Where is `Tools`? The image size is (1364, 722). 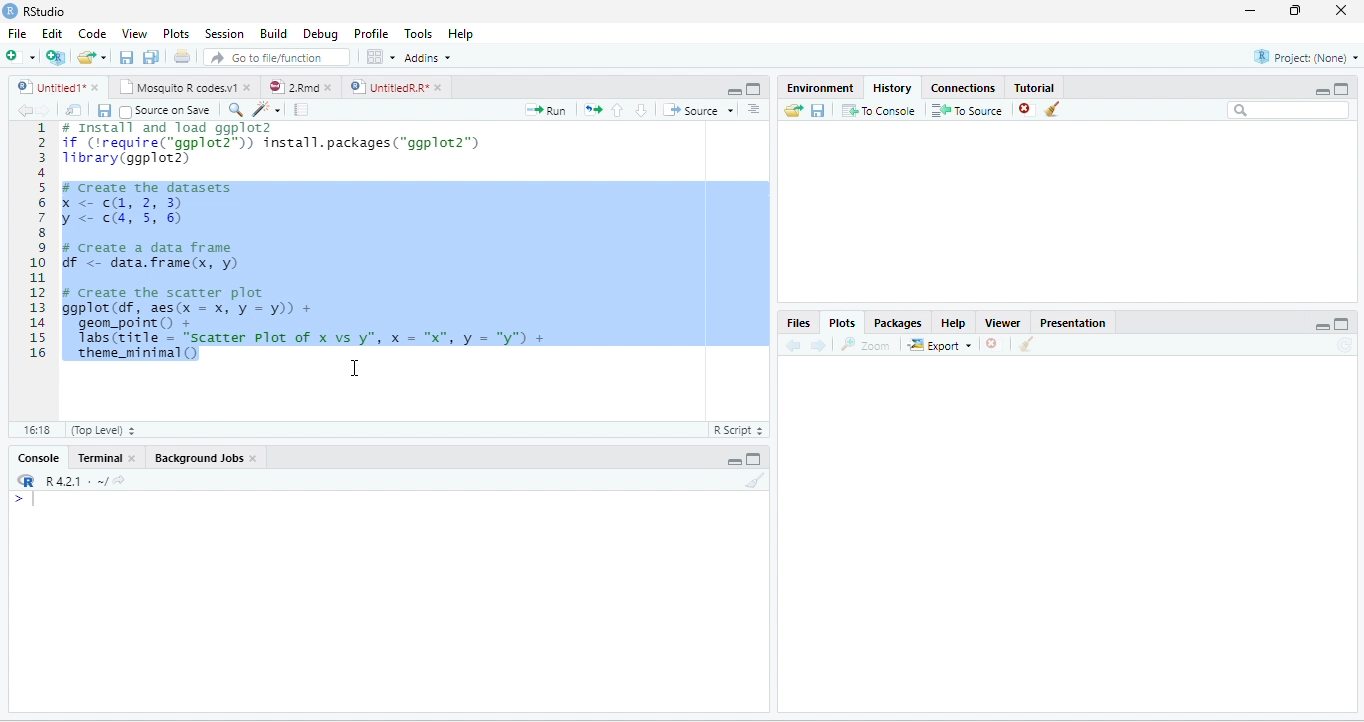
Tools is located at coordinates (419, 33).